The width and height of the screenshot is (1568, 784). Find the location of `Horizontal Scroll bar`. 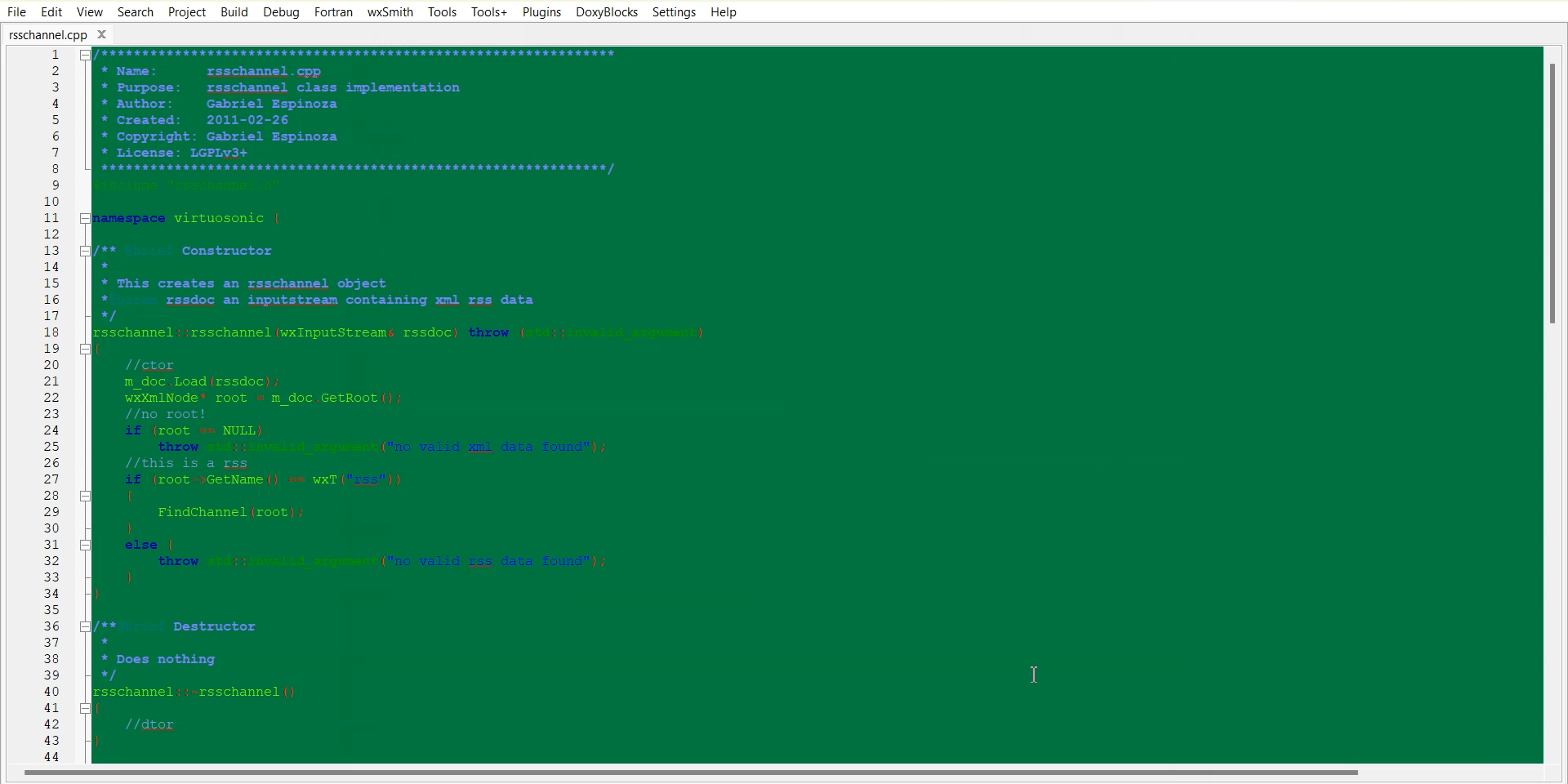

Horizontal Scroll bar is located at coordinates (694, 775).